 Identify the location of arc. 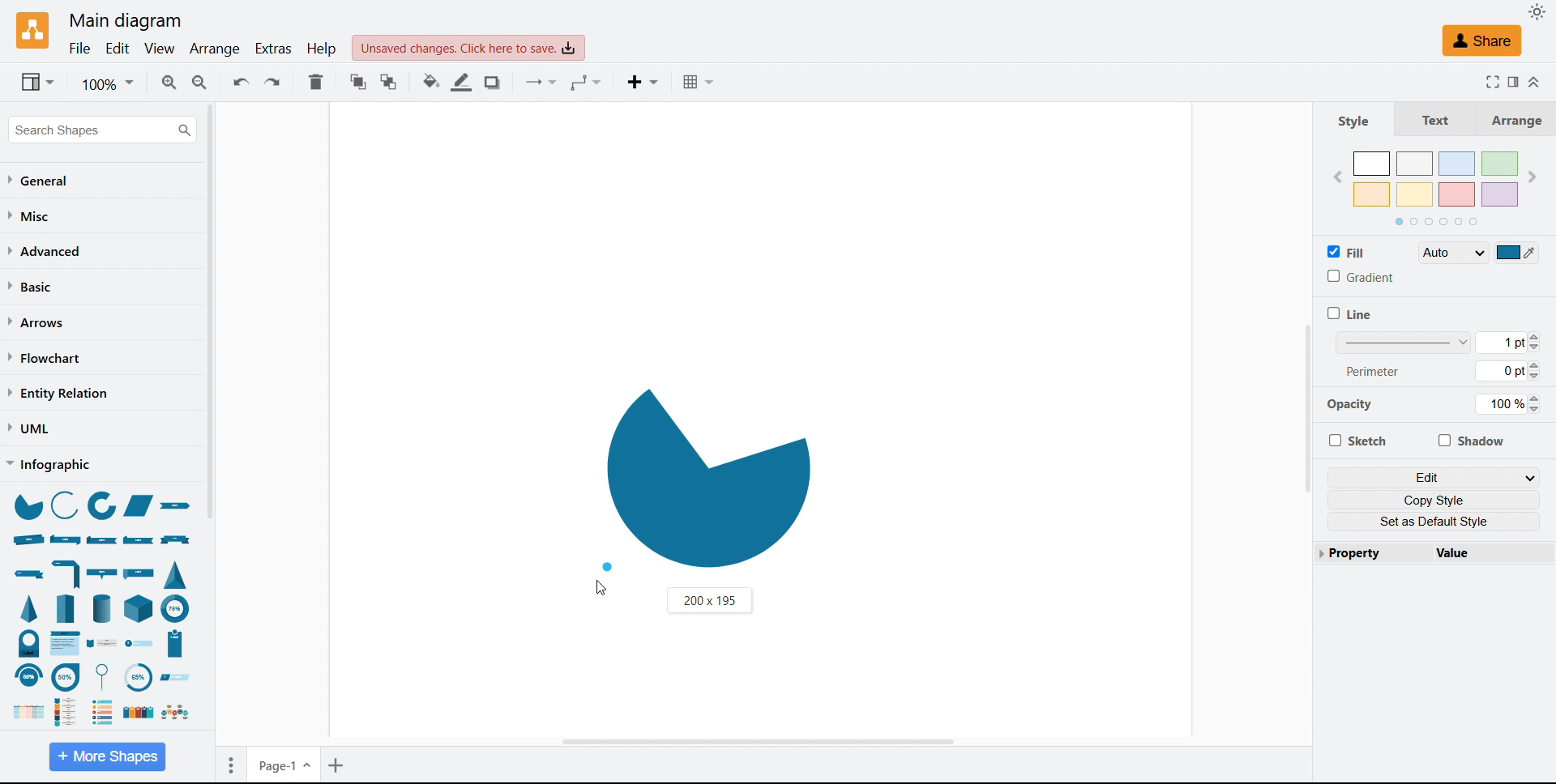
(64, 504).